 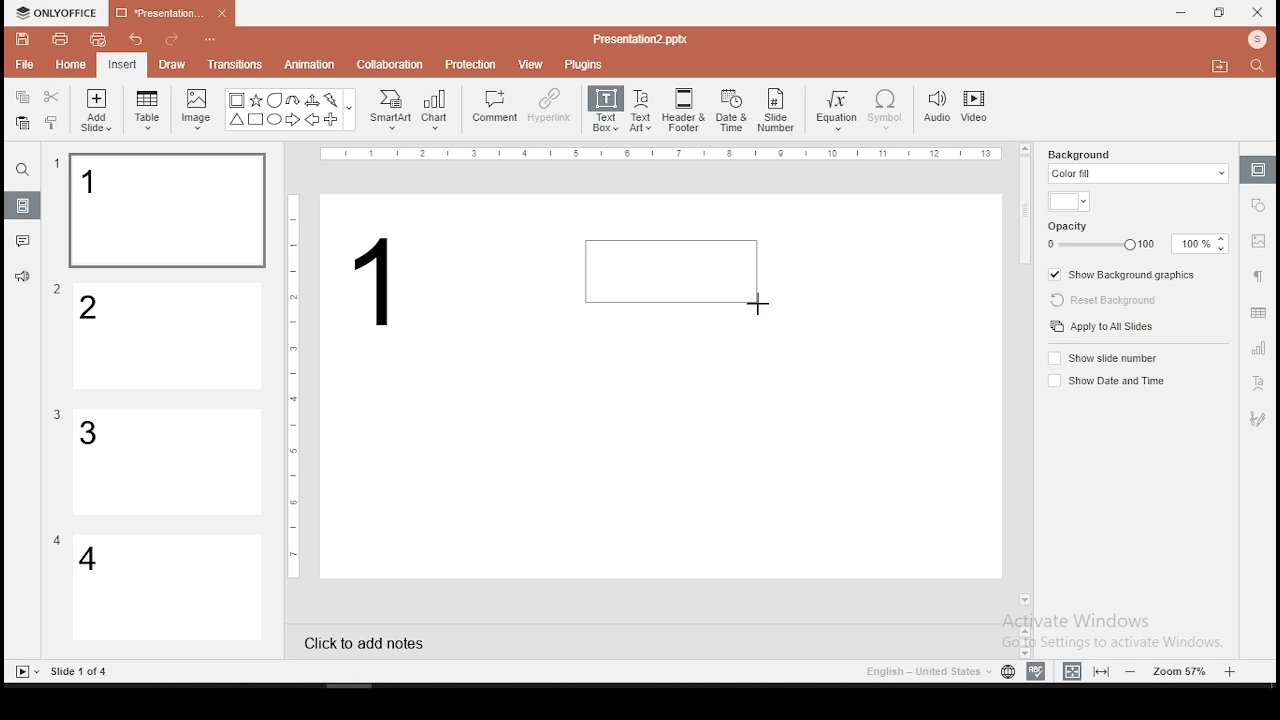 What do you see at coordinates (1070, 203) in the screenshot?
I see `background fill color` at bounding box center [1070, 203].